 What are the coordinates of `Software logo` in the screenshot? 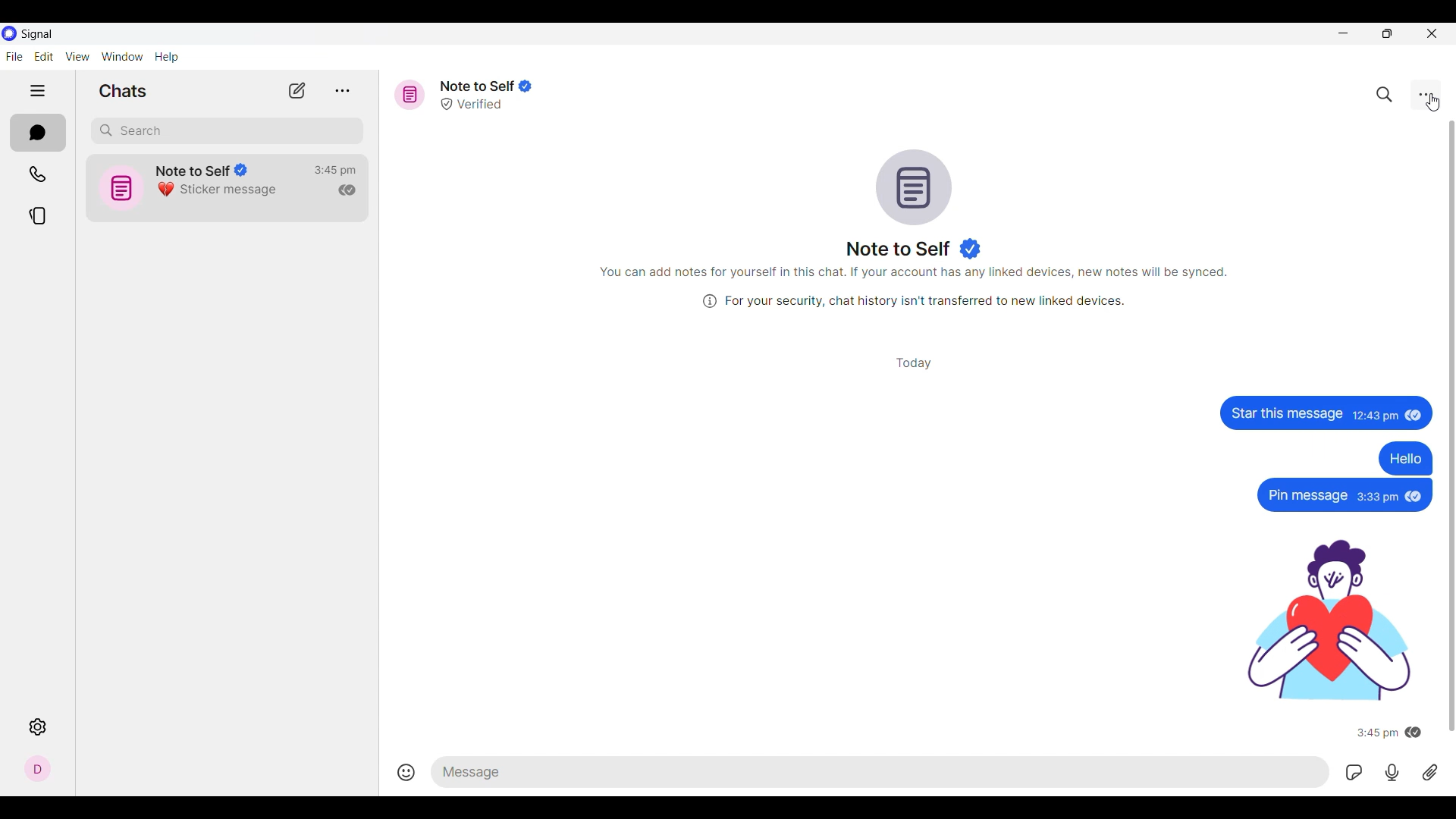 It's located at (9, 33).